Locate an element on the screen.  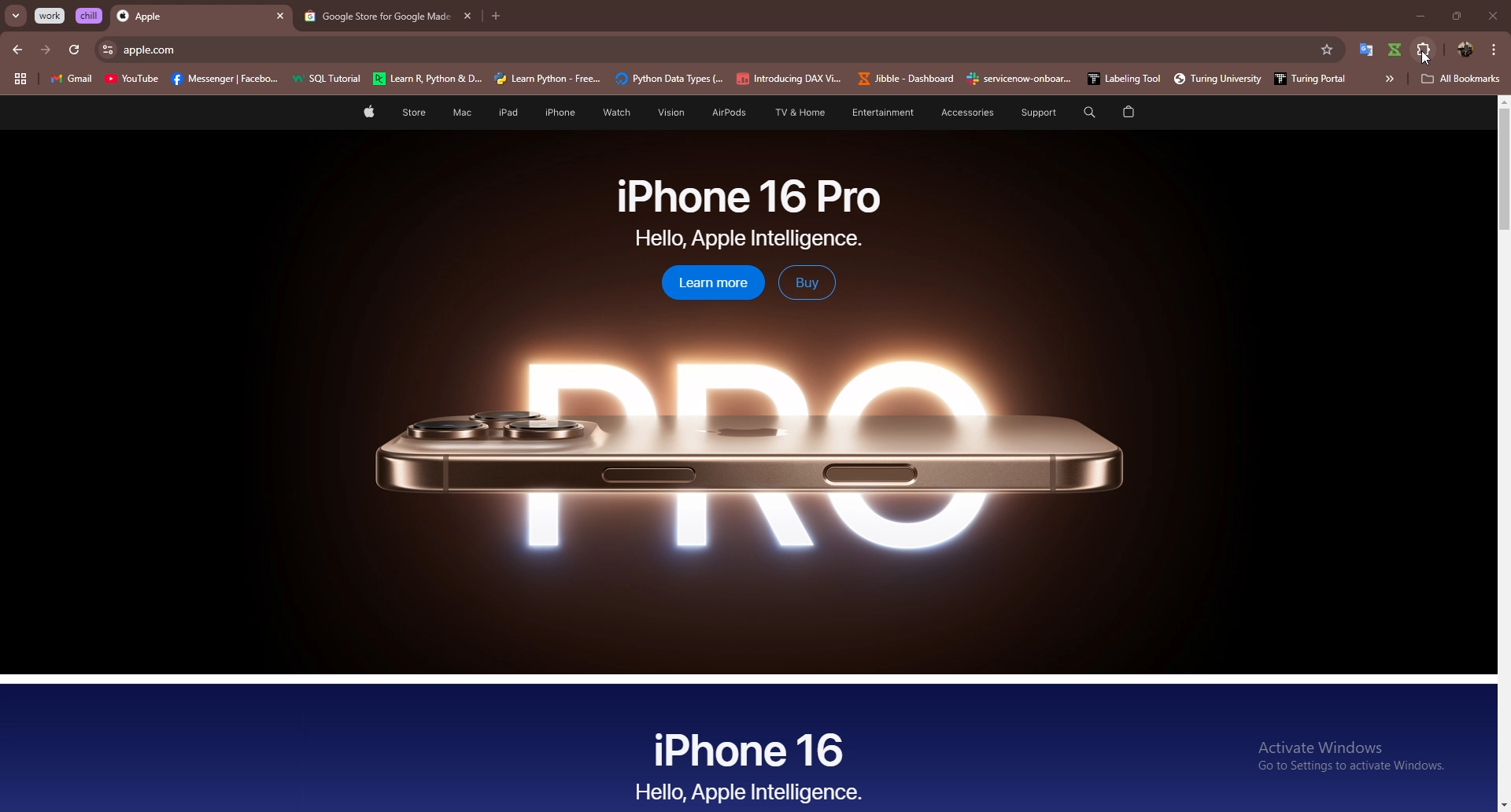
close tab is located at coordinates (465, 16).